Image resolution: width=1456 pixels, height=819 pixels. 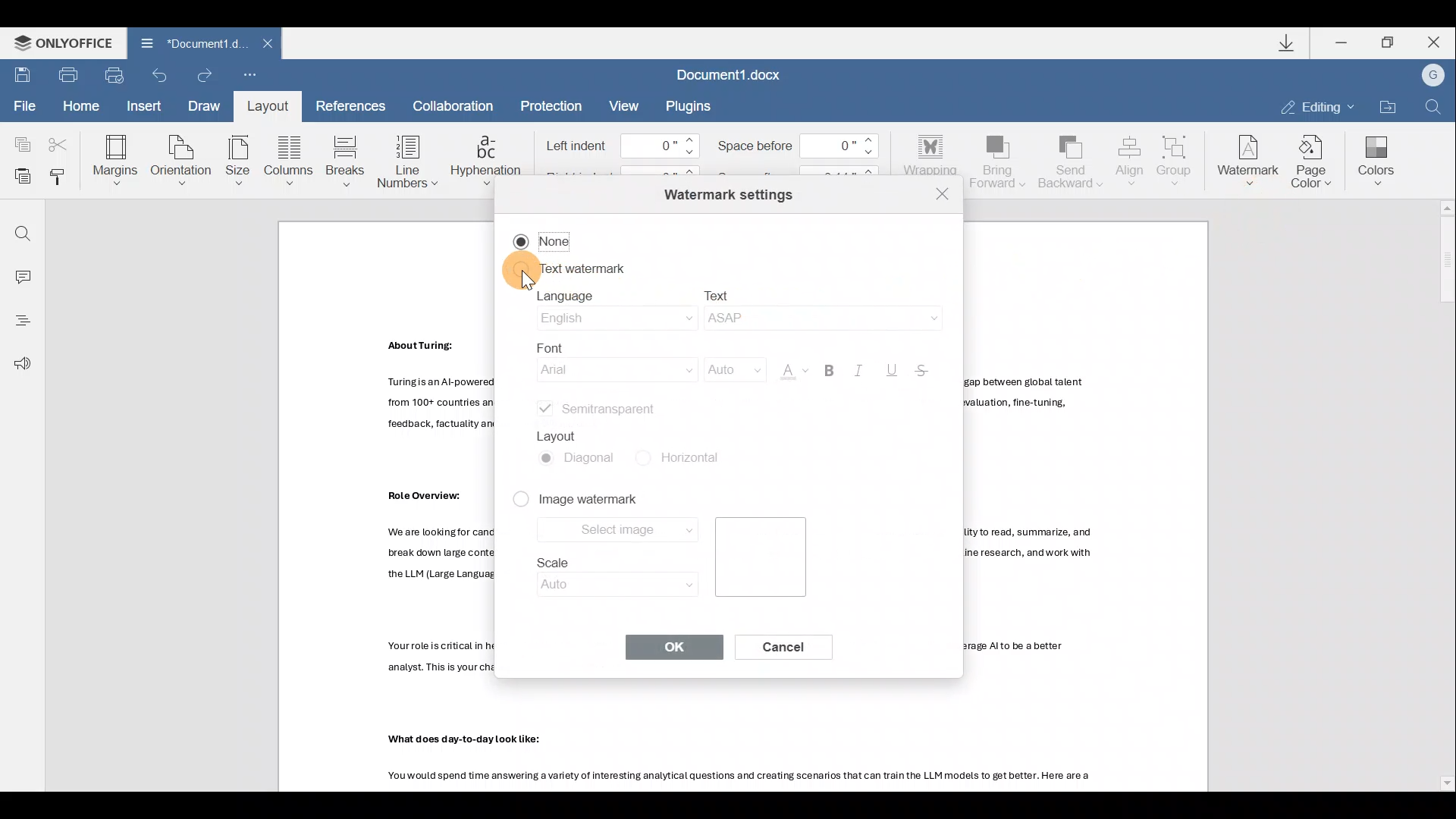 What do you see at coordinates (824, 309) in the screenshot?
I see `Text` at bounding box center [824, 309].